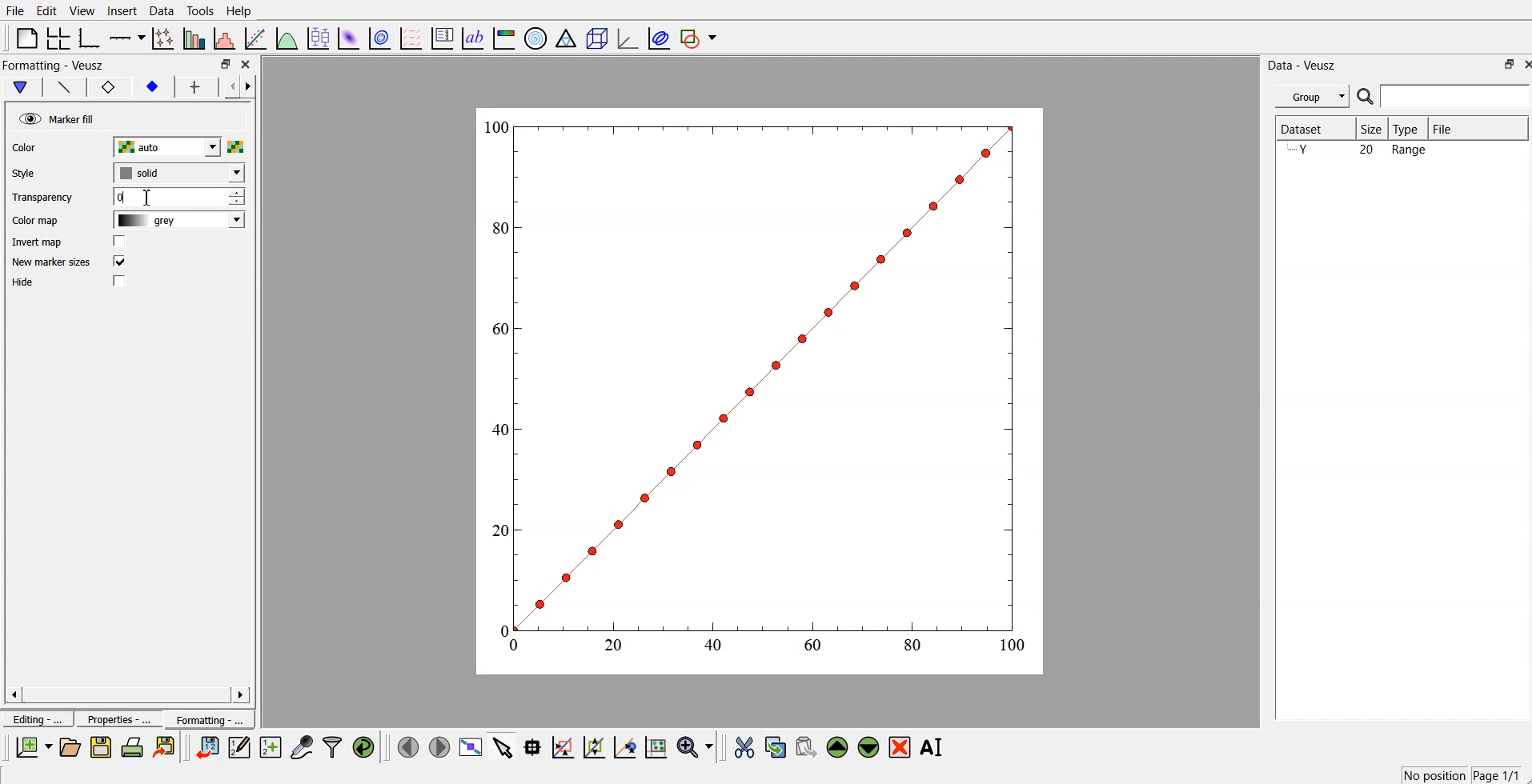 The height and width of the screenshot is (784, 1532). What do you see at coordinates (405, 746) in the screenshot?
I see `Move to previous page` at bounding box center [405, 746].